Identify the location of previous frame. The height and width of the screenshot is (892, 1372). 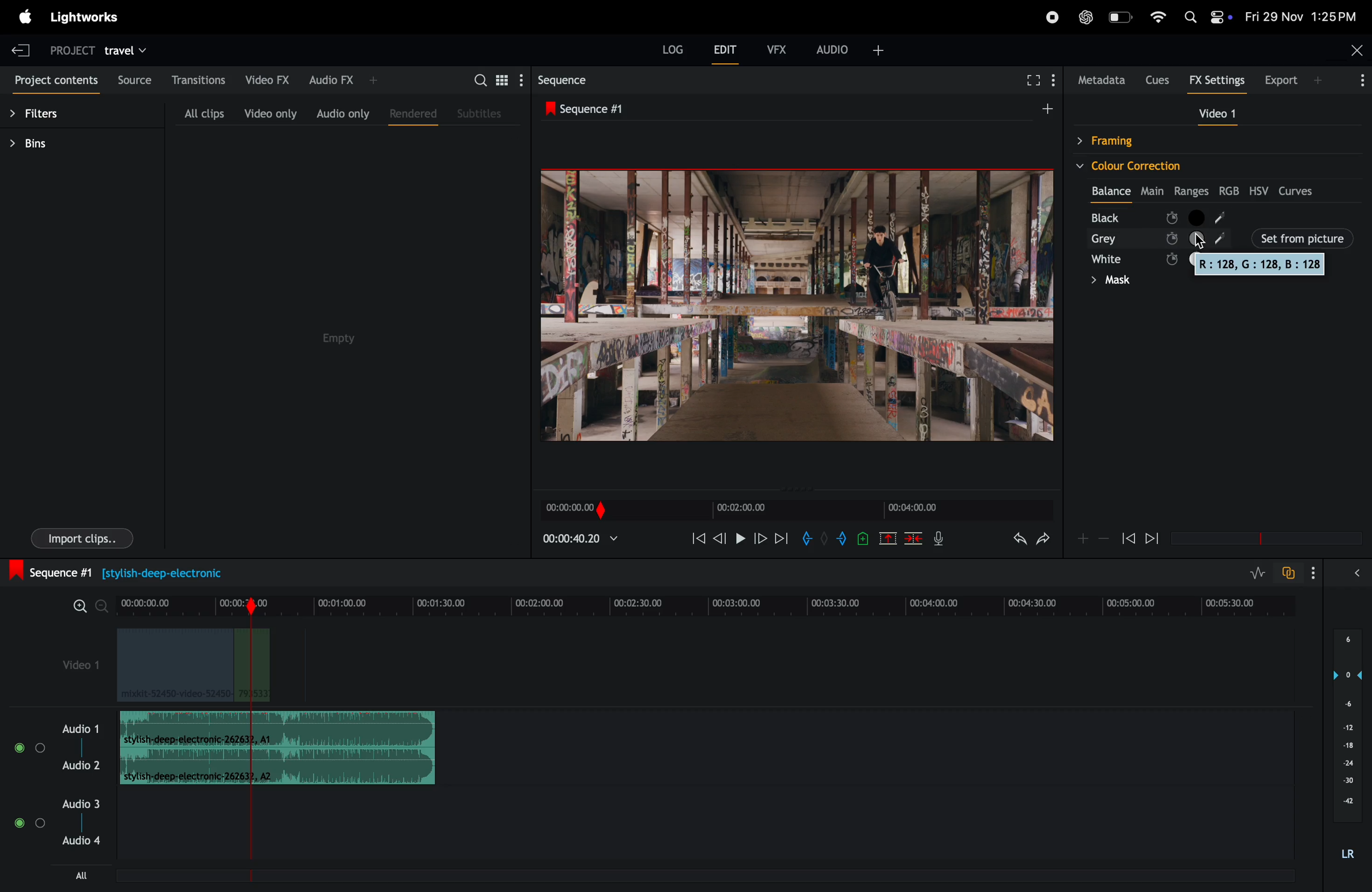
(722, 537).